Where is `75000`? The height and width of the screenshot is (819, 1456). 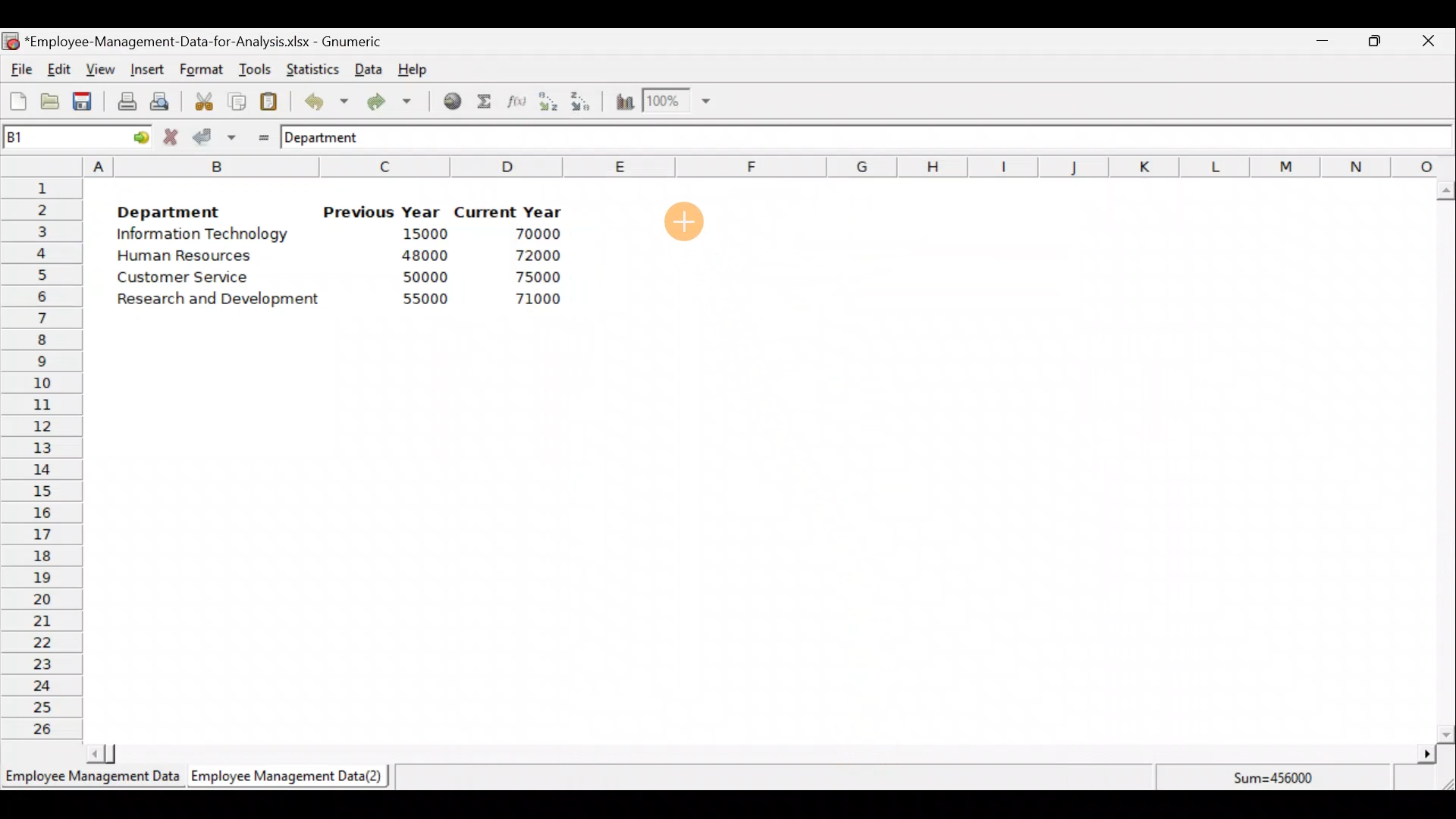
75000 is located at coordinates (529, 278).